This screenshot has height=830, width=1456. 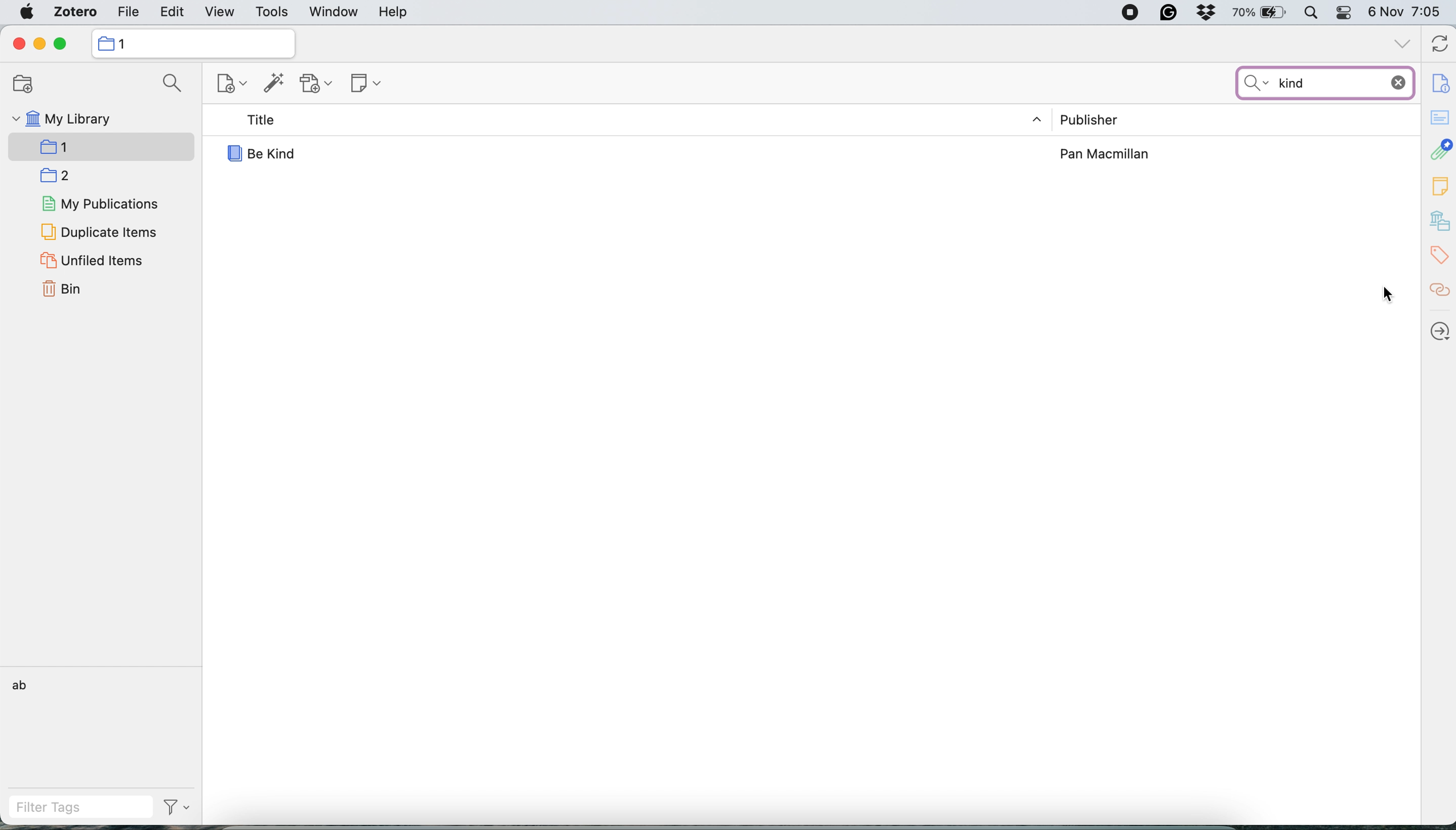 I want to click on tools, so click(x=277, y=13).